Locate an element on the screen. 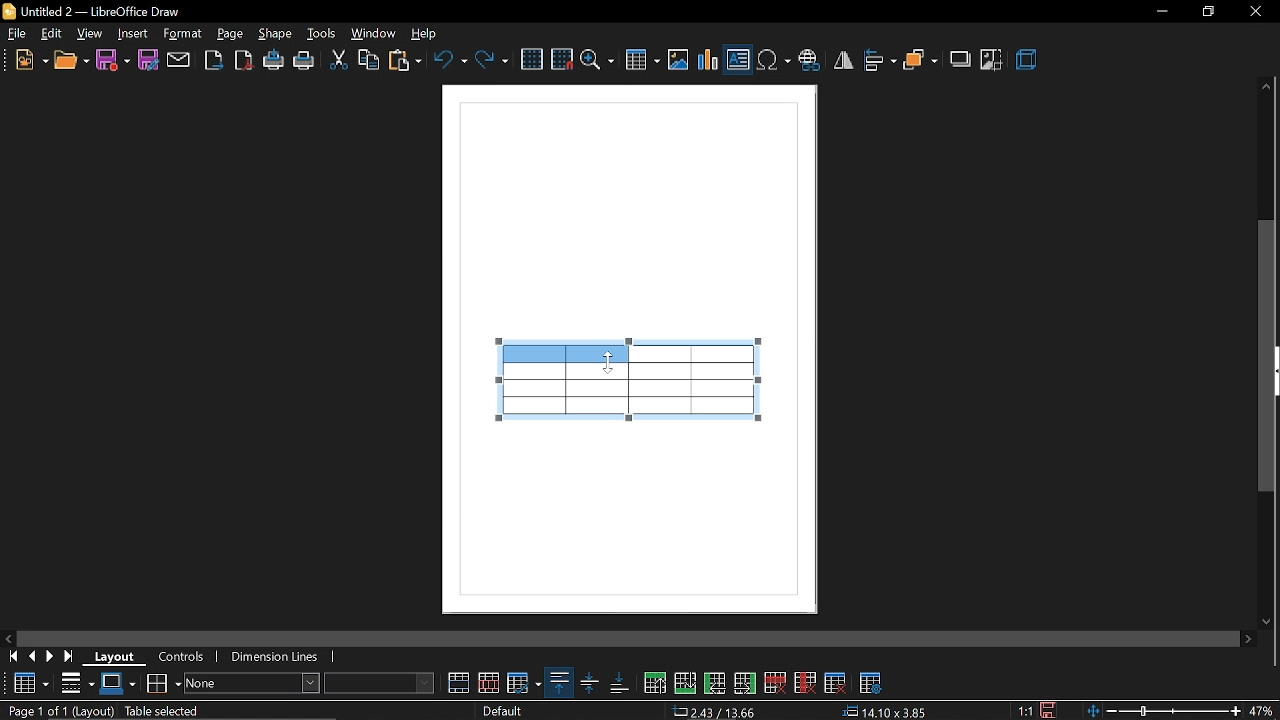 The width and height of the screenshot is (1280, 720). dimension lines is located at coordinates (279, 659).